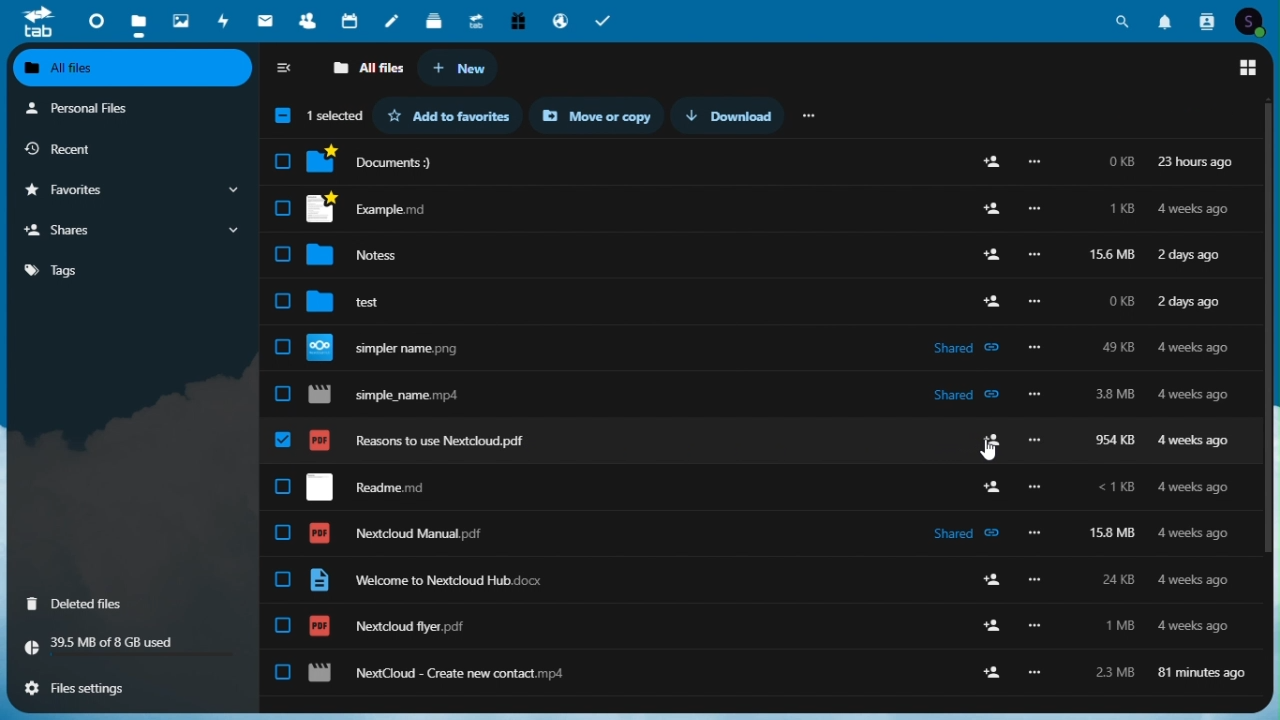 Image resolution: width=1280 pixels, height=720 pixels. I want to click on shared, so click(963, 531).